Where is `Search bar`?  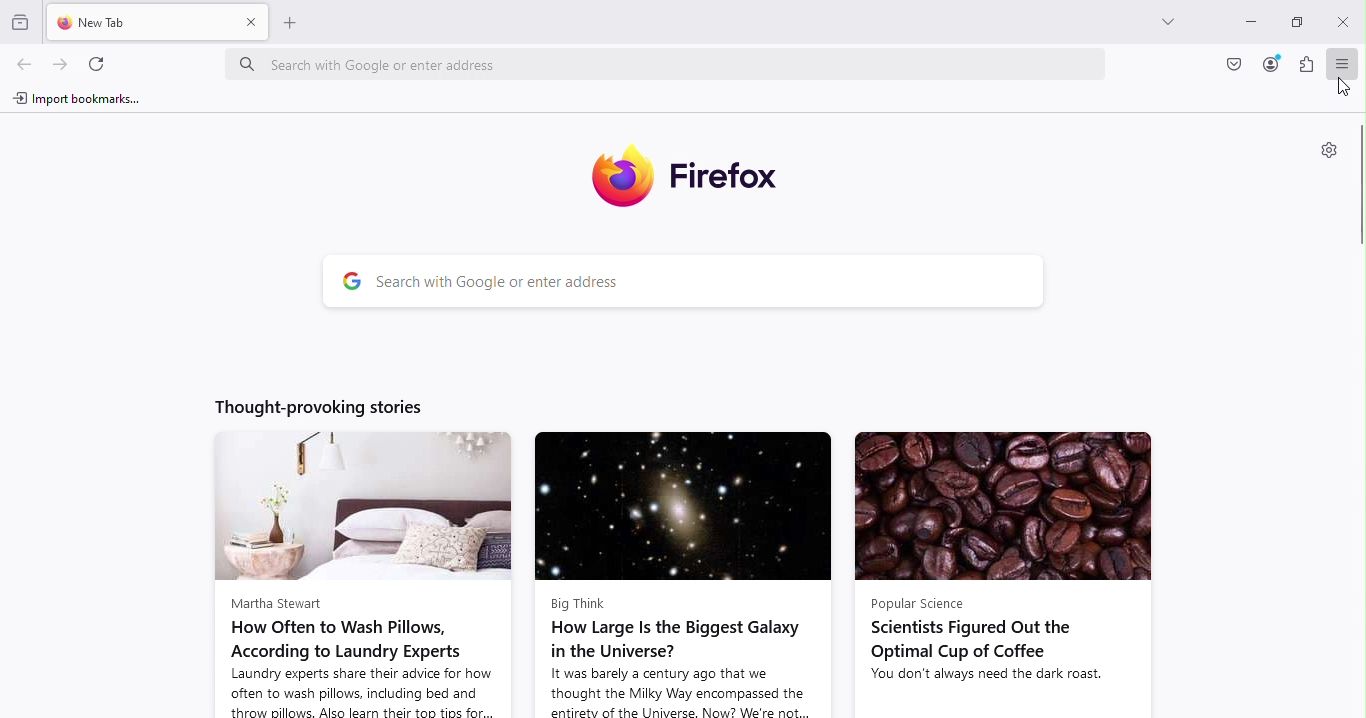
Search bar is located at coordinates (702, 284).